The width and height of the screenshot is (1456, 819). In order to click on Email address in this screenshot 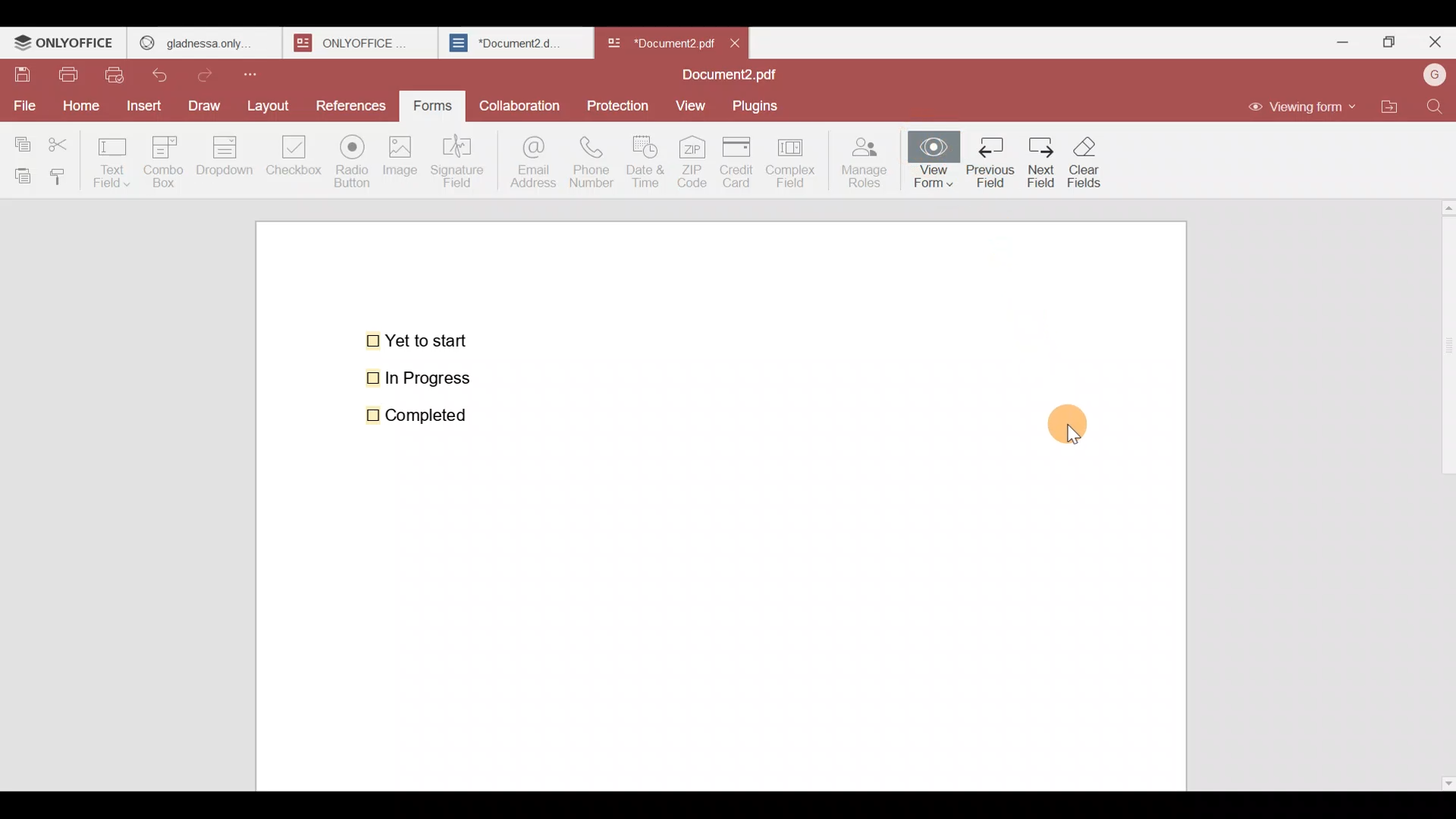, I will do `click(530, 160)`.